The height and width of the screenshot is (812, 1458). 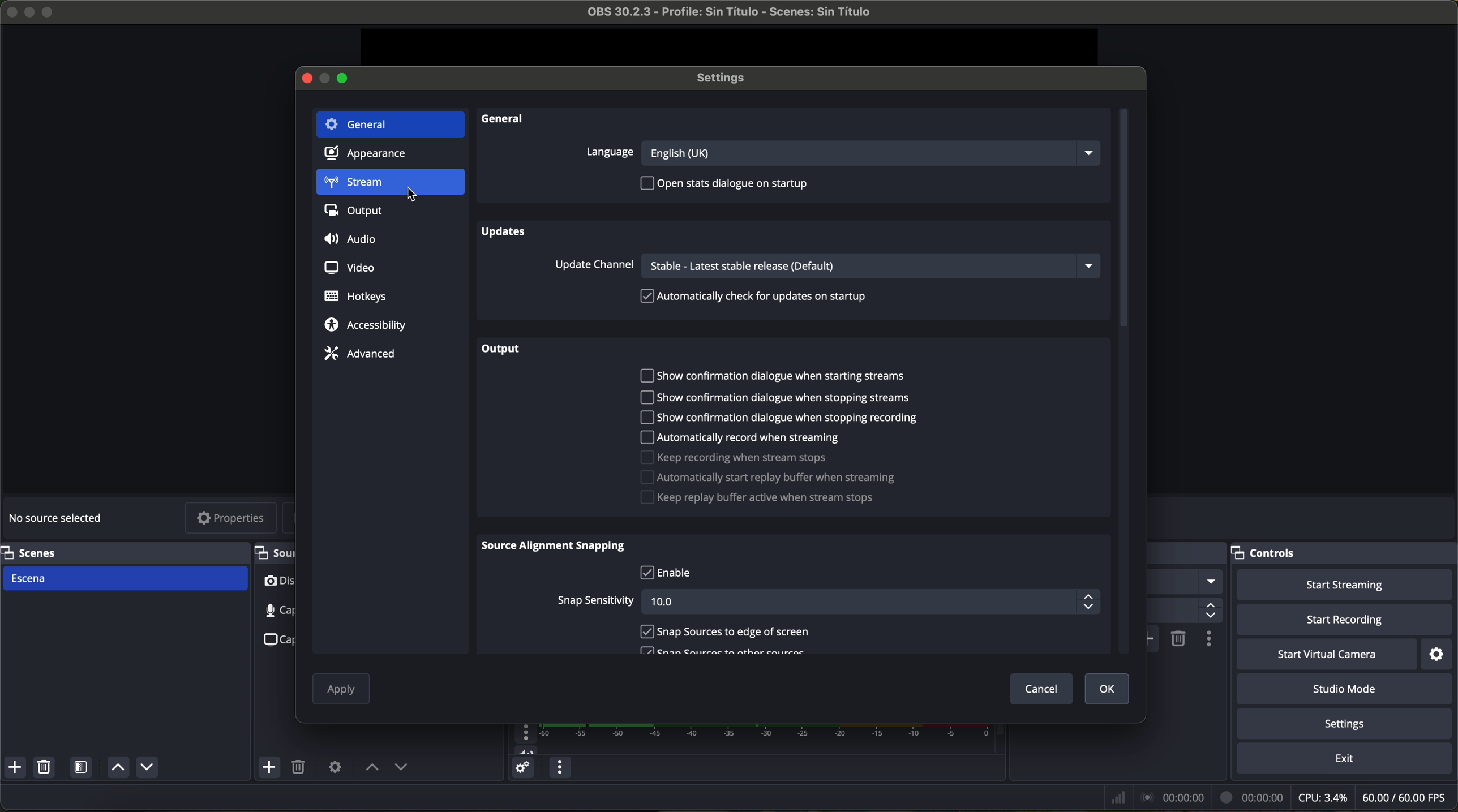 I want to click on settings, so click(x=722, y=76).